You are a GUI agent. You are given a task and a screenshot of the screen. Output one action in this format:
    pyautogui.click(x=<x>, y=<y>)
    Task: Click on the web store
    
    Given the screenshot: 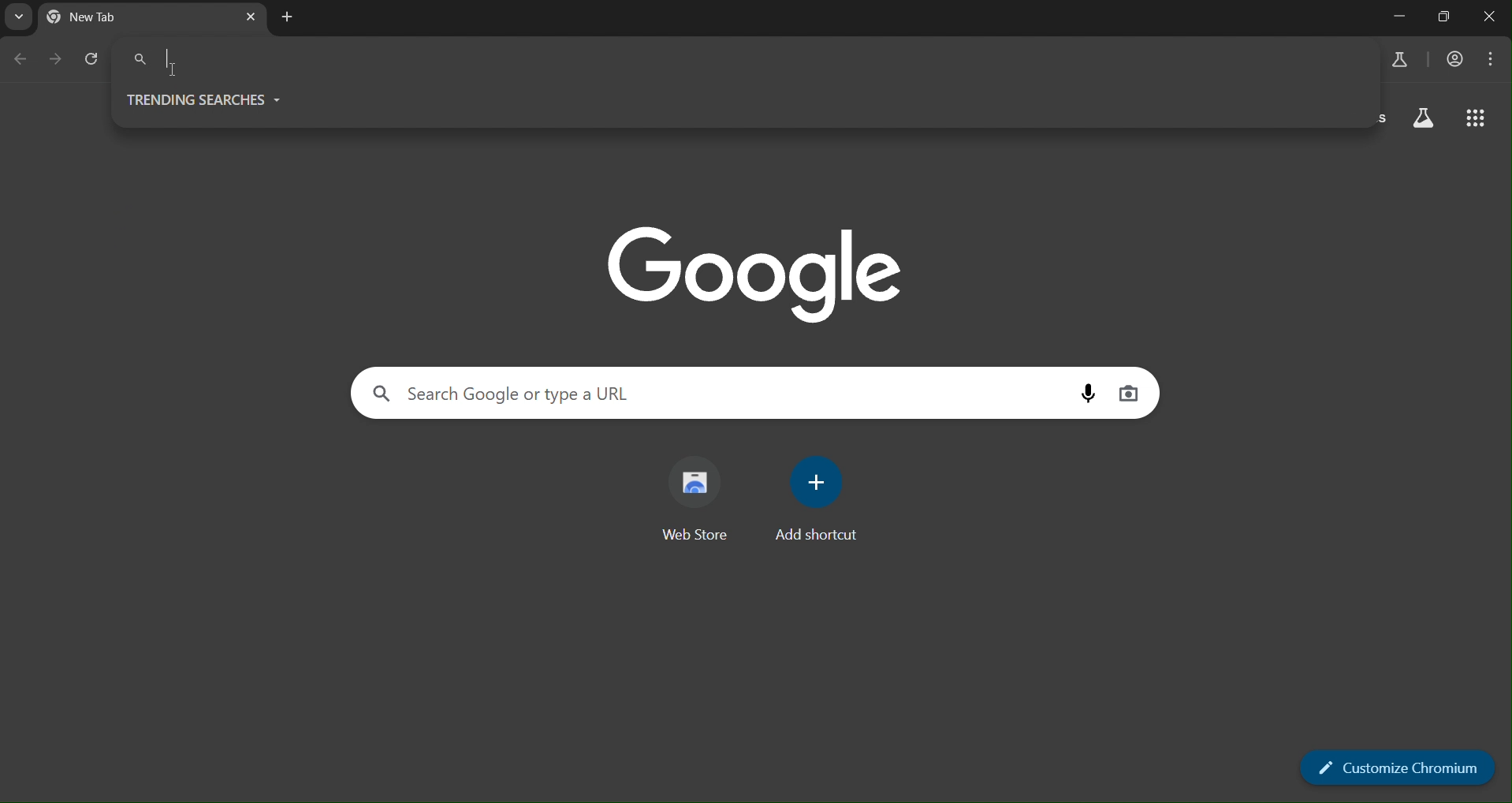 What is the action you would take?
    pyautogui.click(x=695, y=501)
    